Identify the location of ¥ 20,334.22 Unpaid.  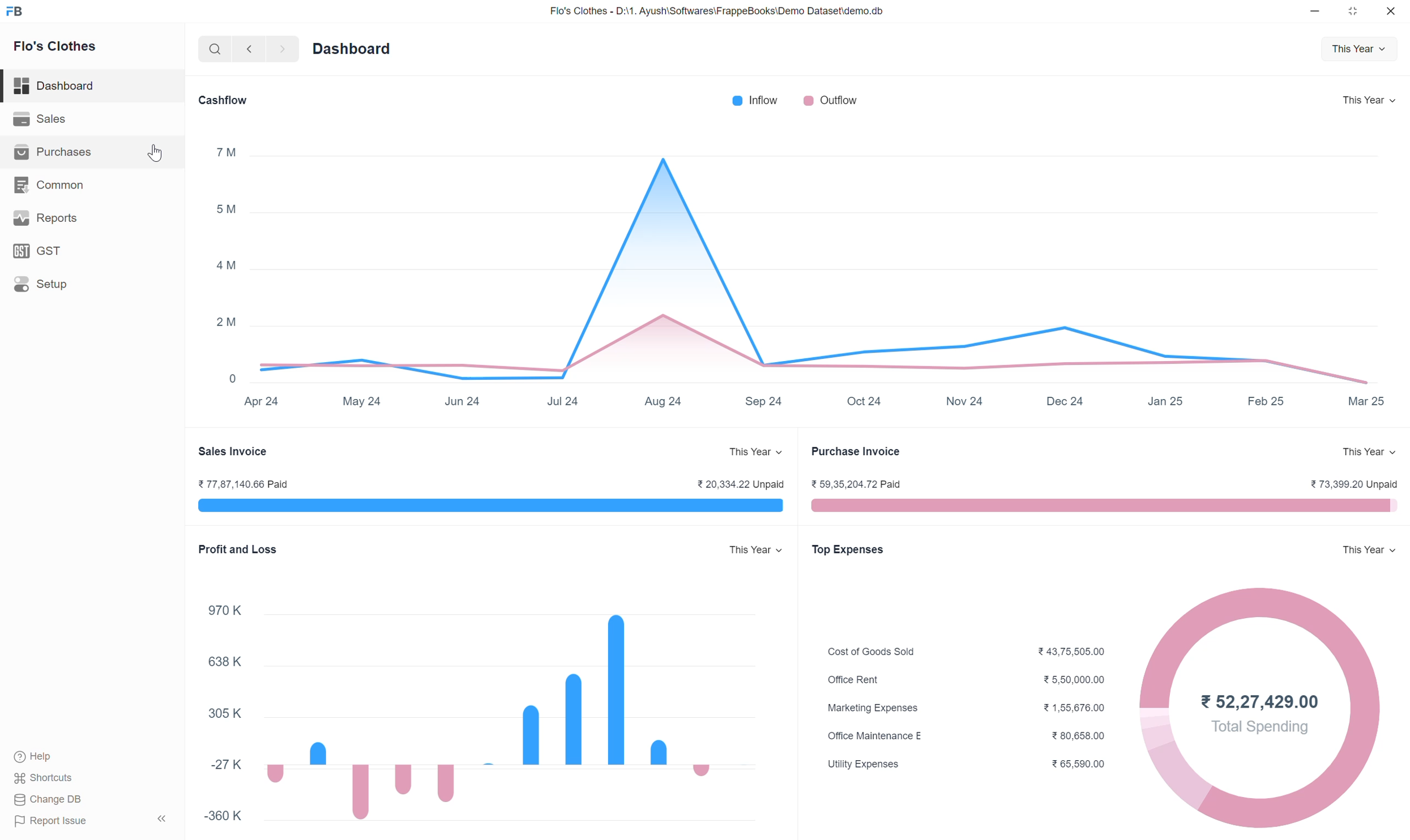
(732, 483).